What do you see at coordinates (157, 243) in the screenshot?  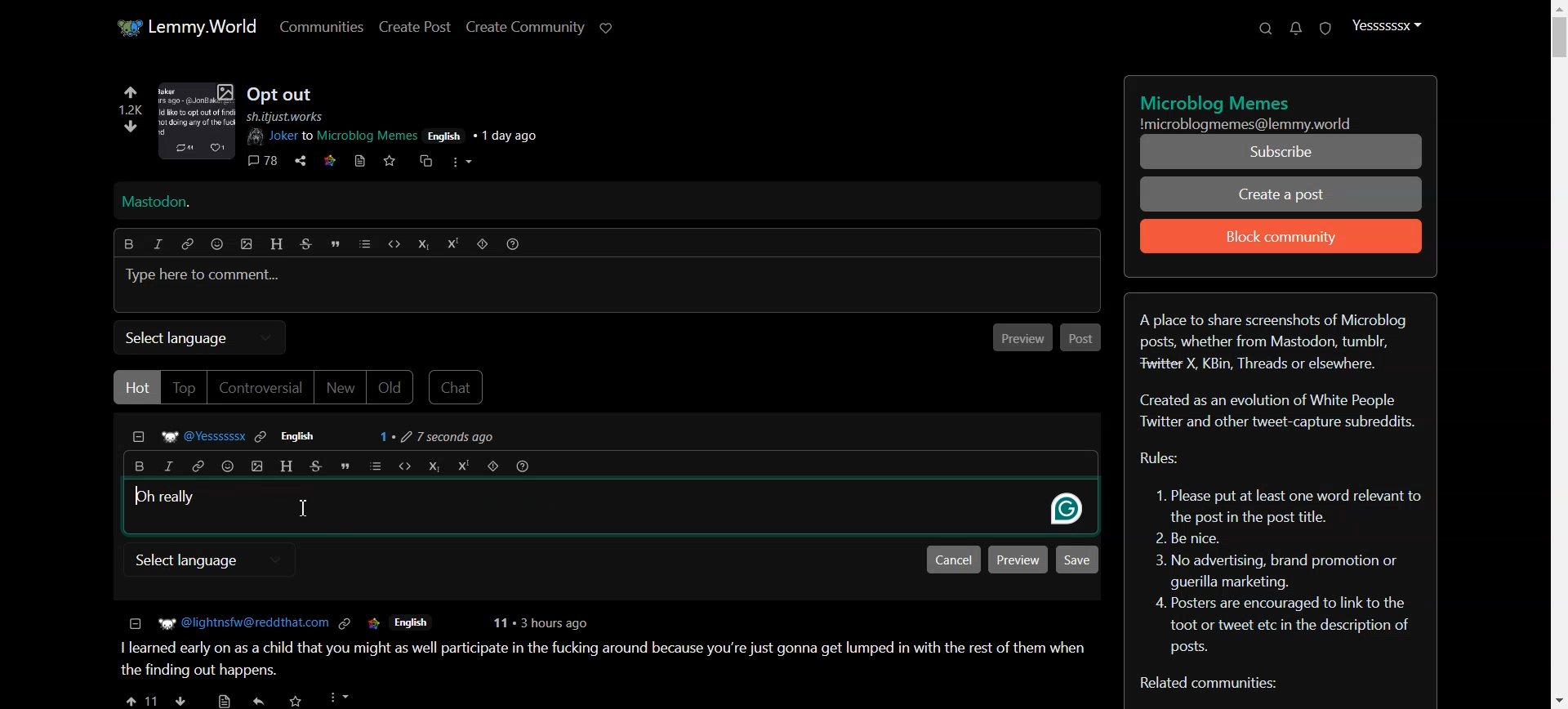 I see `Italic` at bounding box center [157, 243].